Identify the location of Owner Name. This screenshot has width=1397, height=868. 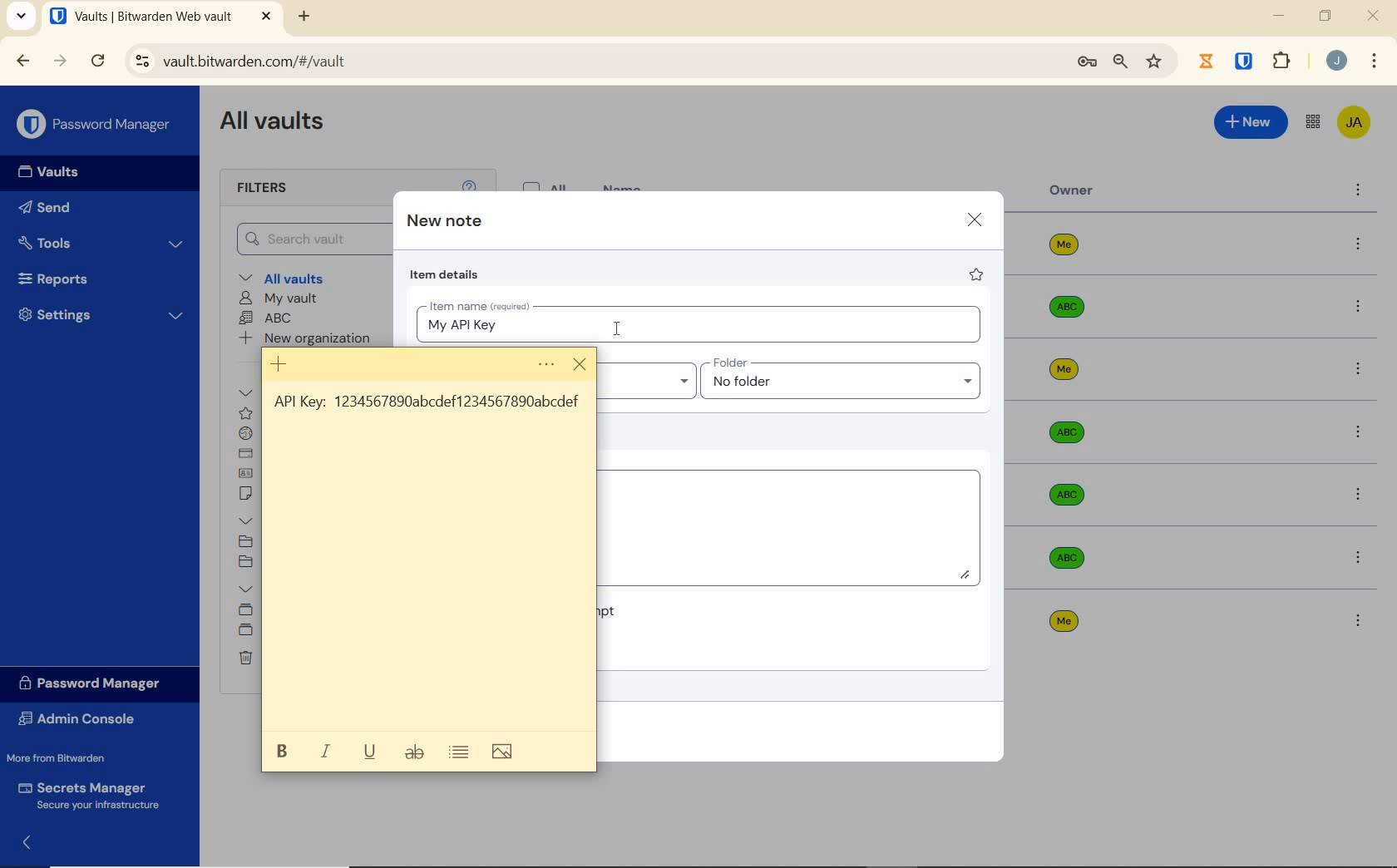
(1064, 433).